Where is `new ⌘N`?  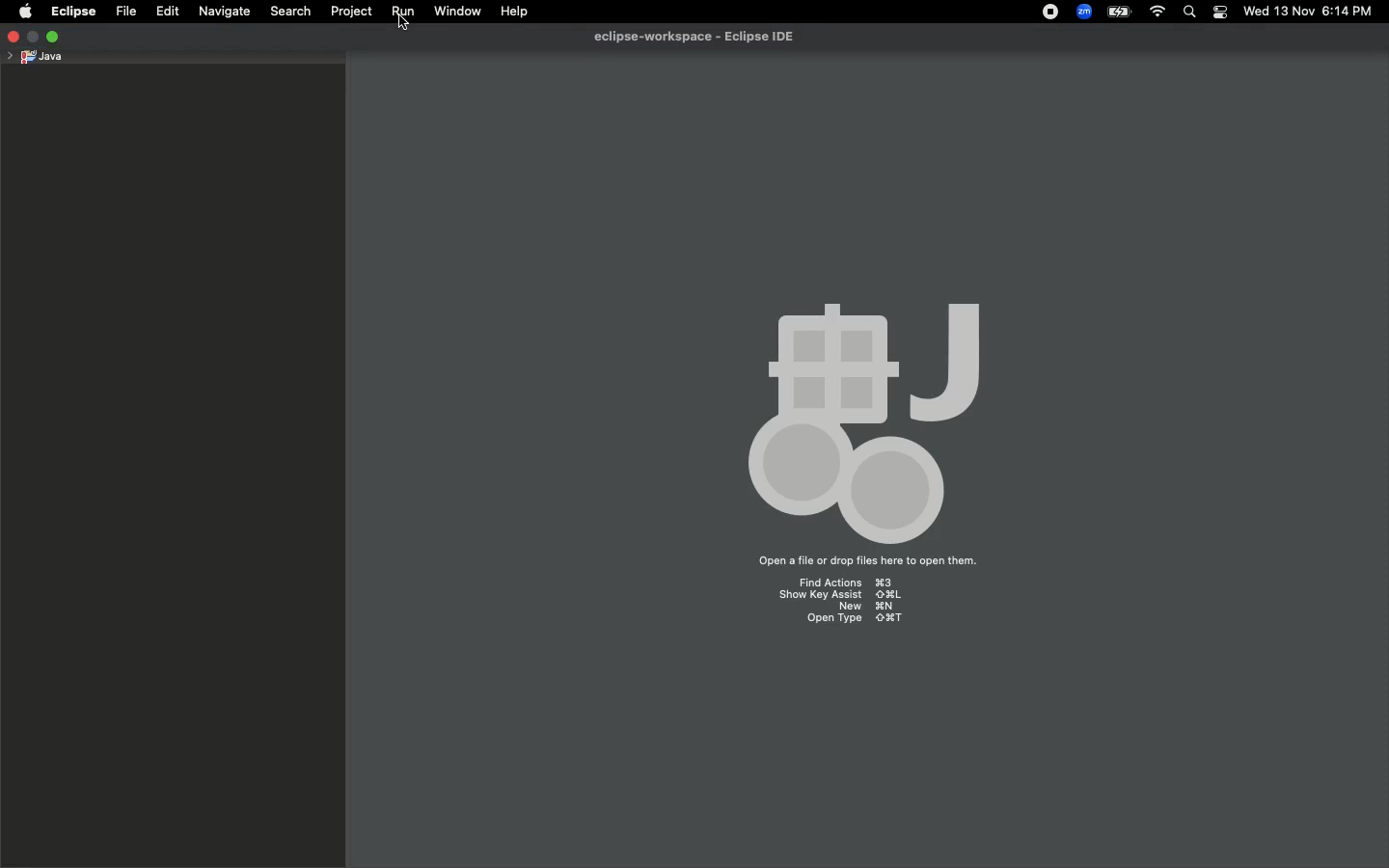
new ⌘N is located at coordinates (869, 607).